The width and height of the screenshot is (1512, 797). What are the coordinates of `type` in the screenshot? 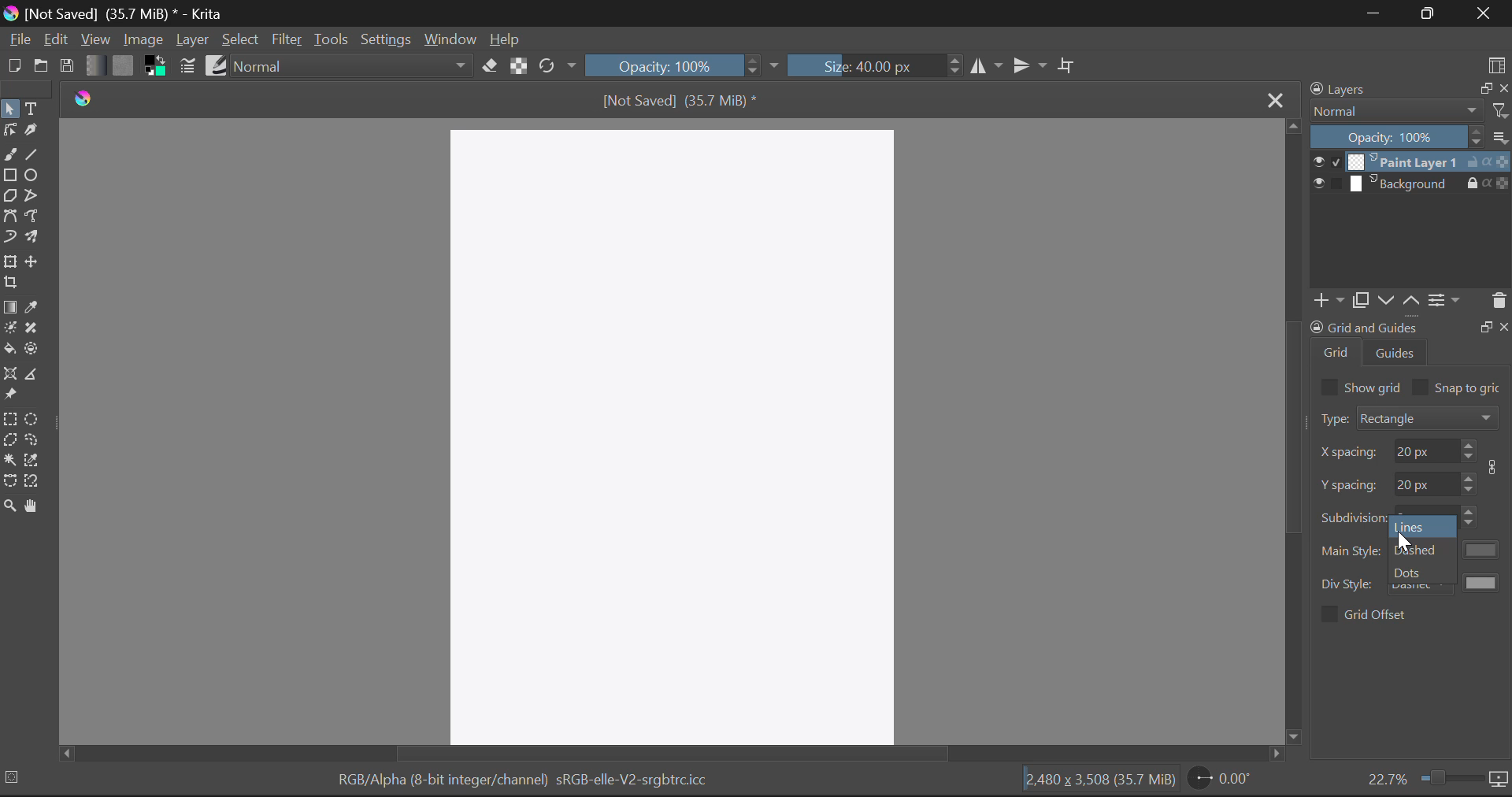 It's located at (1332, 418).